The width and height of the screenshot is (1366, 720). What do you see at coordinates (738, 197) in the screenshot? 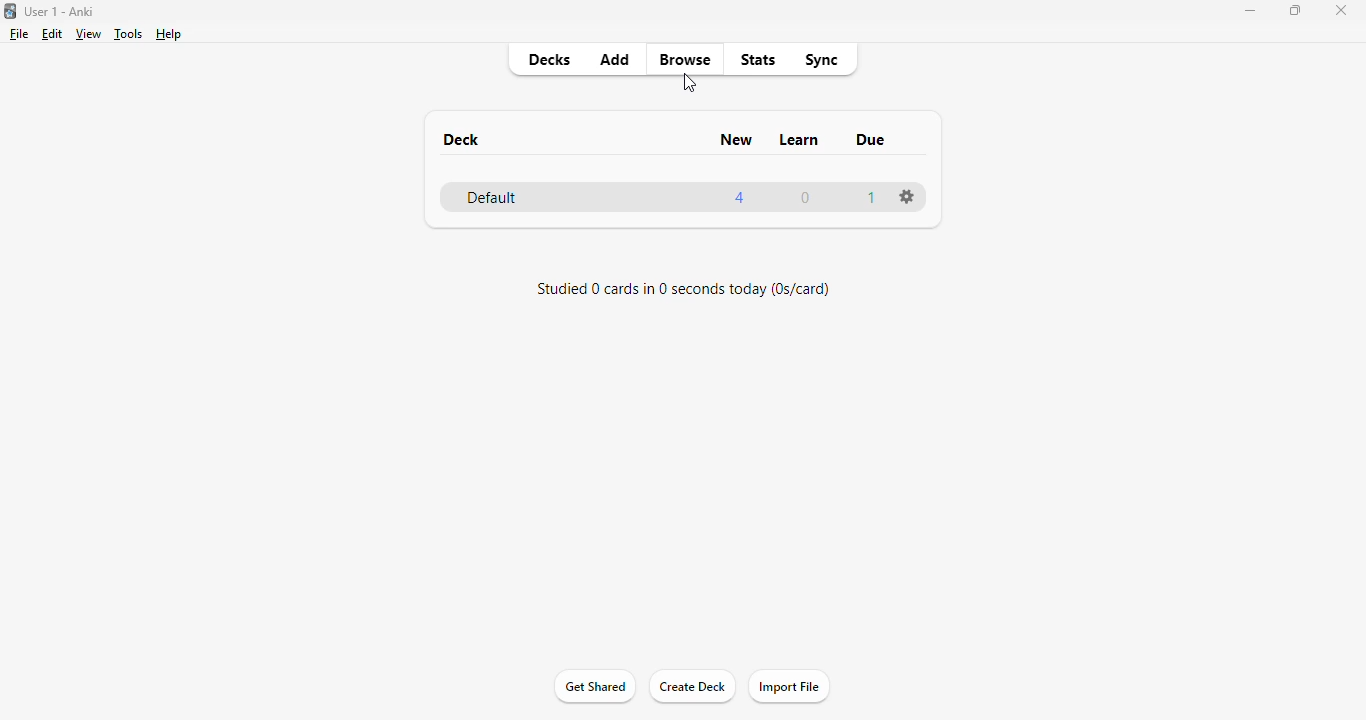
I see `4` at bounding box center [738, 197].